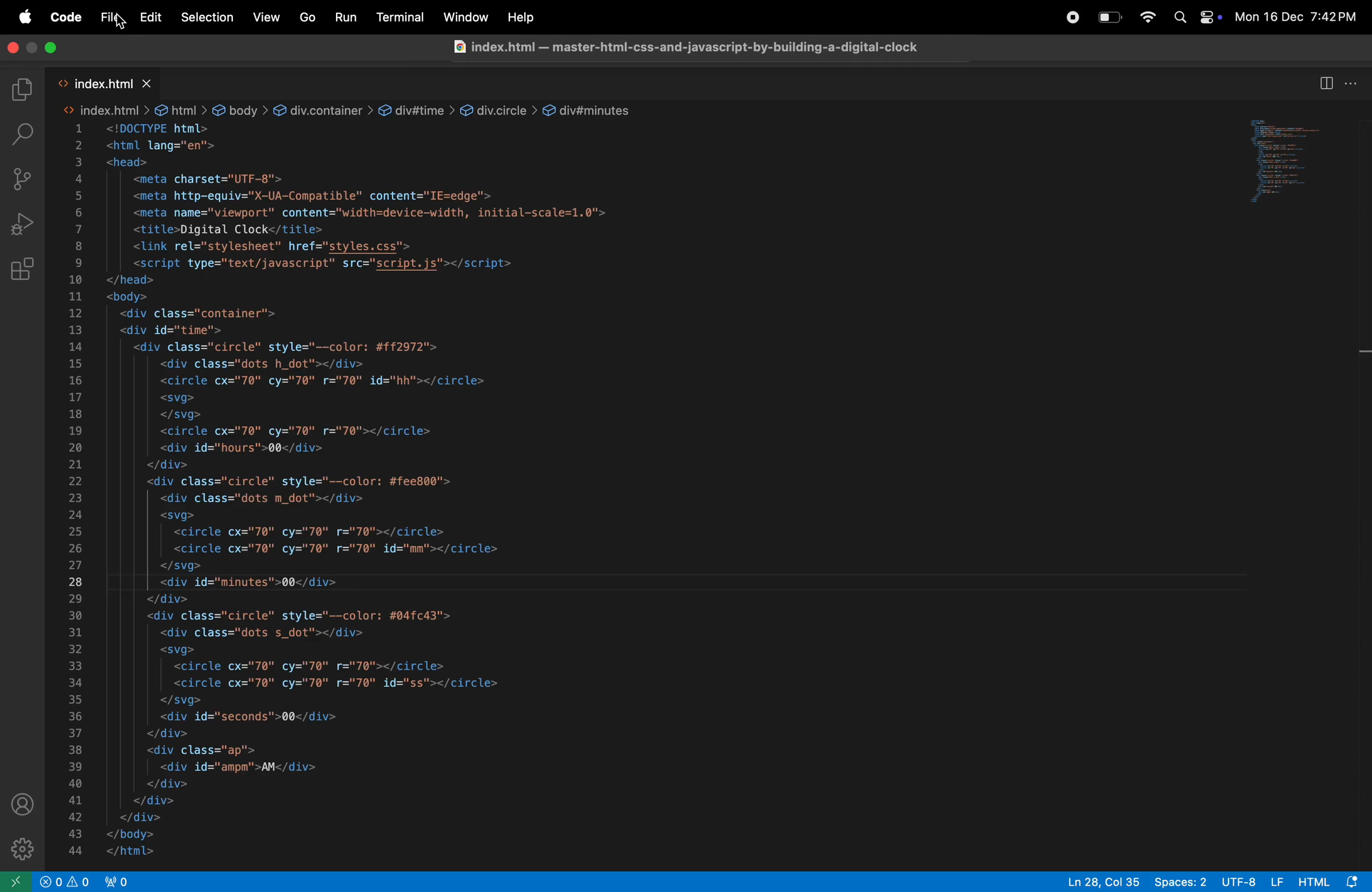 This screenshot has height=892, width=1372. What do you see at coordinates (1326, 84) in the screenshot?
I see `split editor` at bounding box center [1326, 84].